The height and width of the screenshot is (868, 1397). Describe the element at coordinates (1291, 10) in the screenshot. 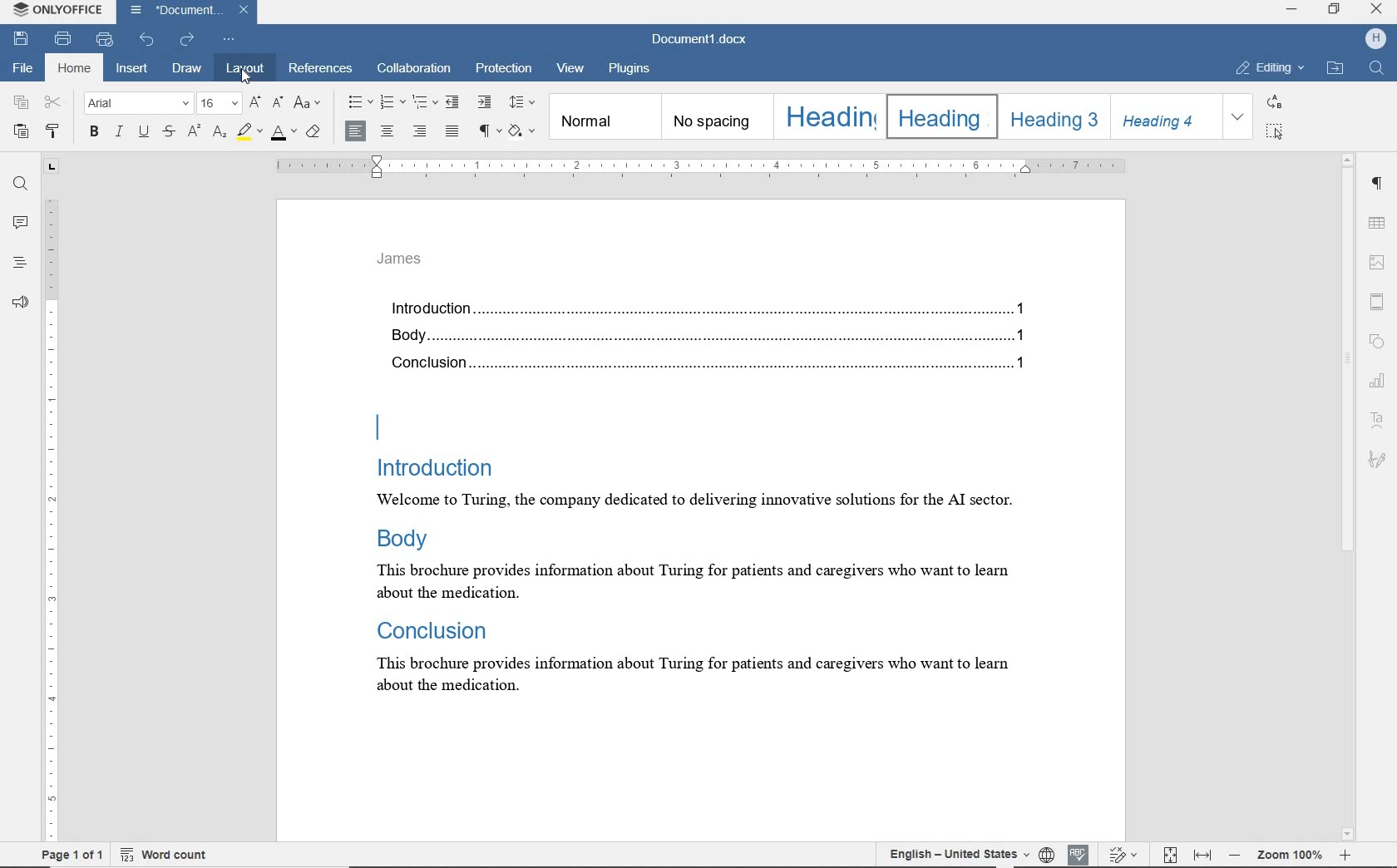

I see `MINIMIZE` at that location.